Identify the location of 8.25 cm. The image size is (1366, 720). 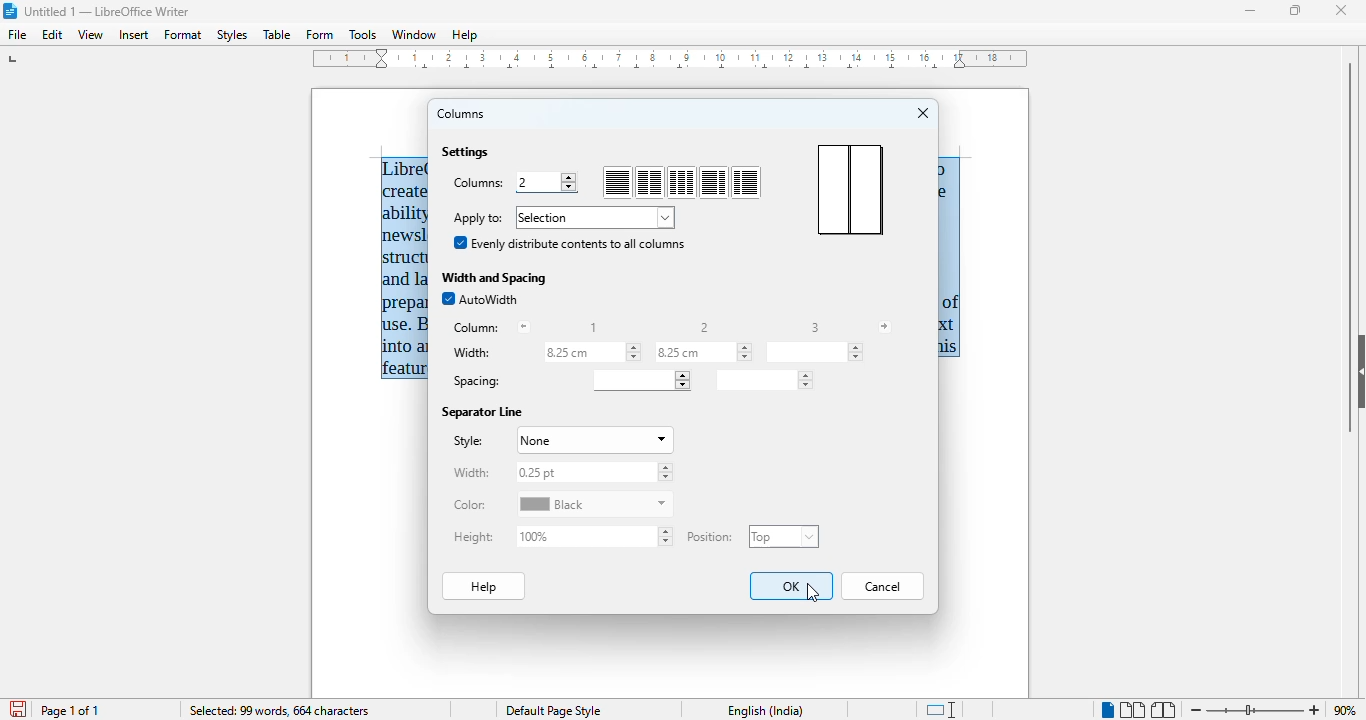
(594, 353).